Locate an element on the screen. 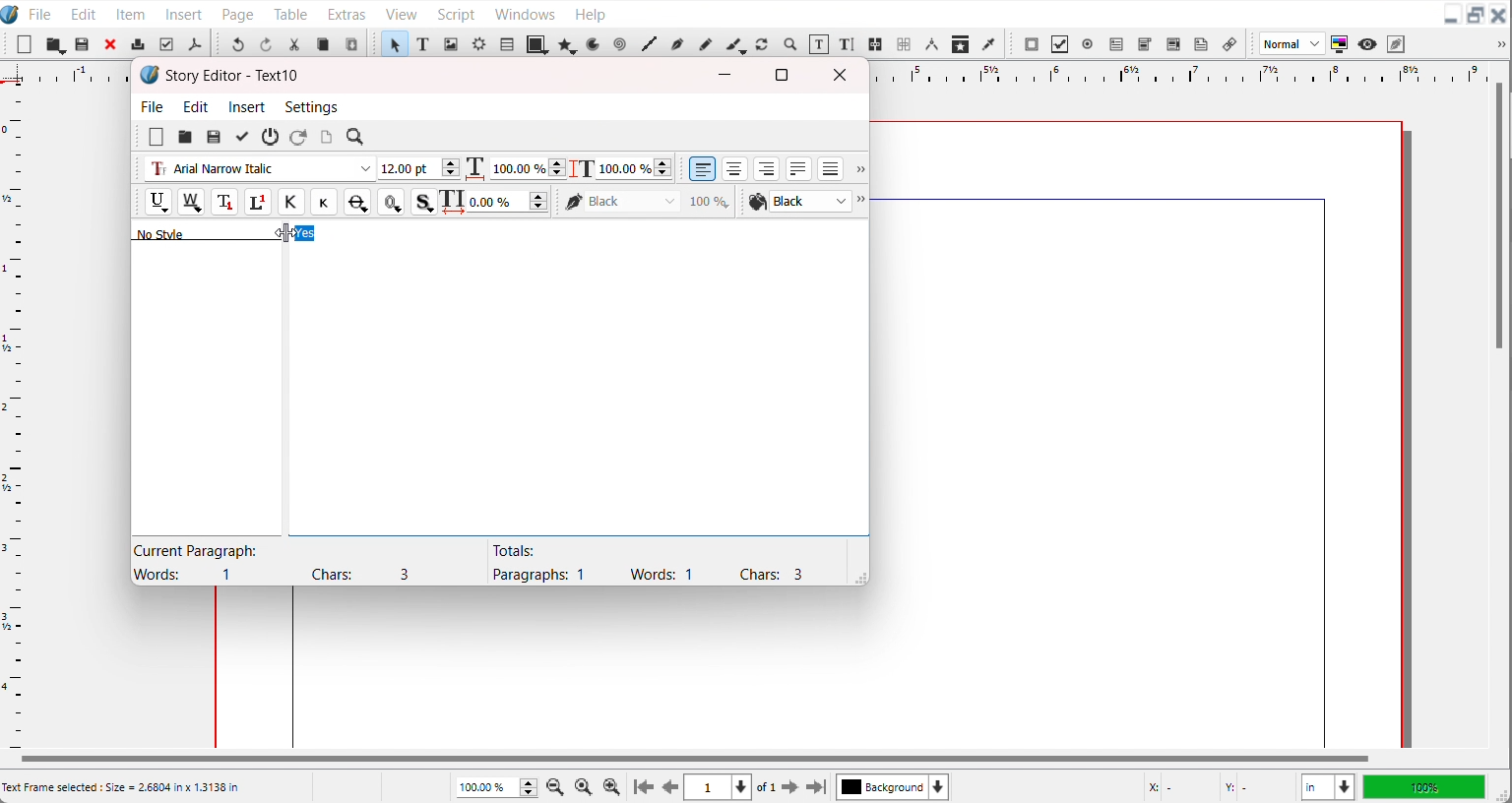 The height and width of the screenshot is (803, 1512). Select current page is located at coordinates (718, 787).